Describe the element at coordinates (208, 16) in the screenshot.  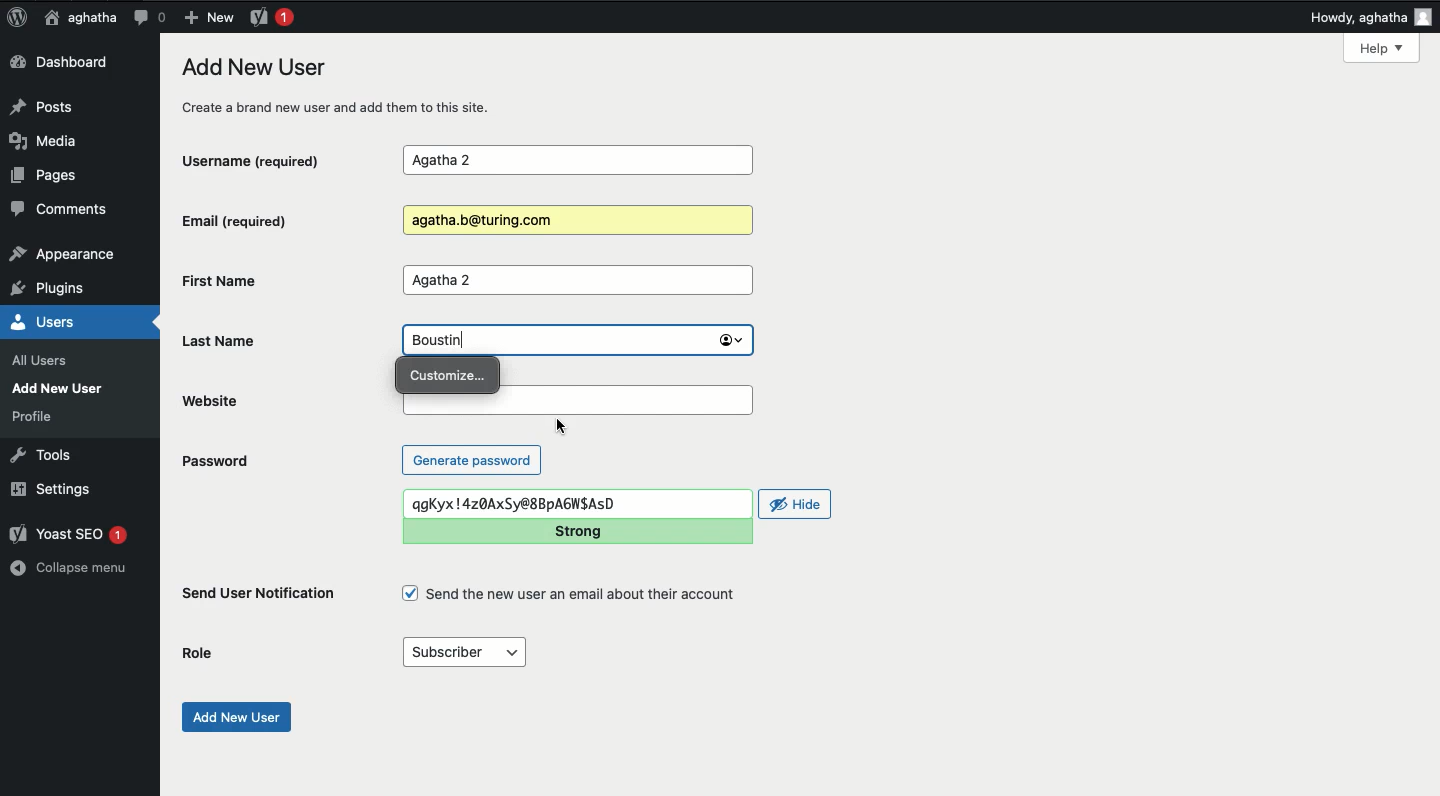
I see `New` at that location.